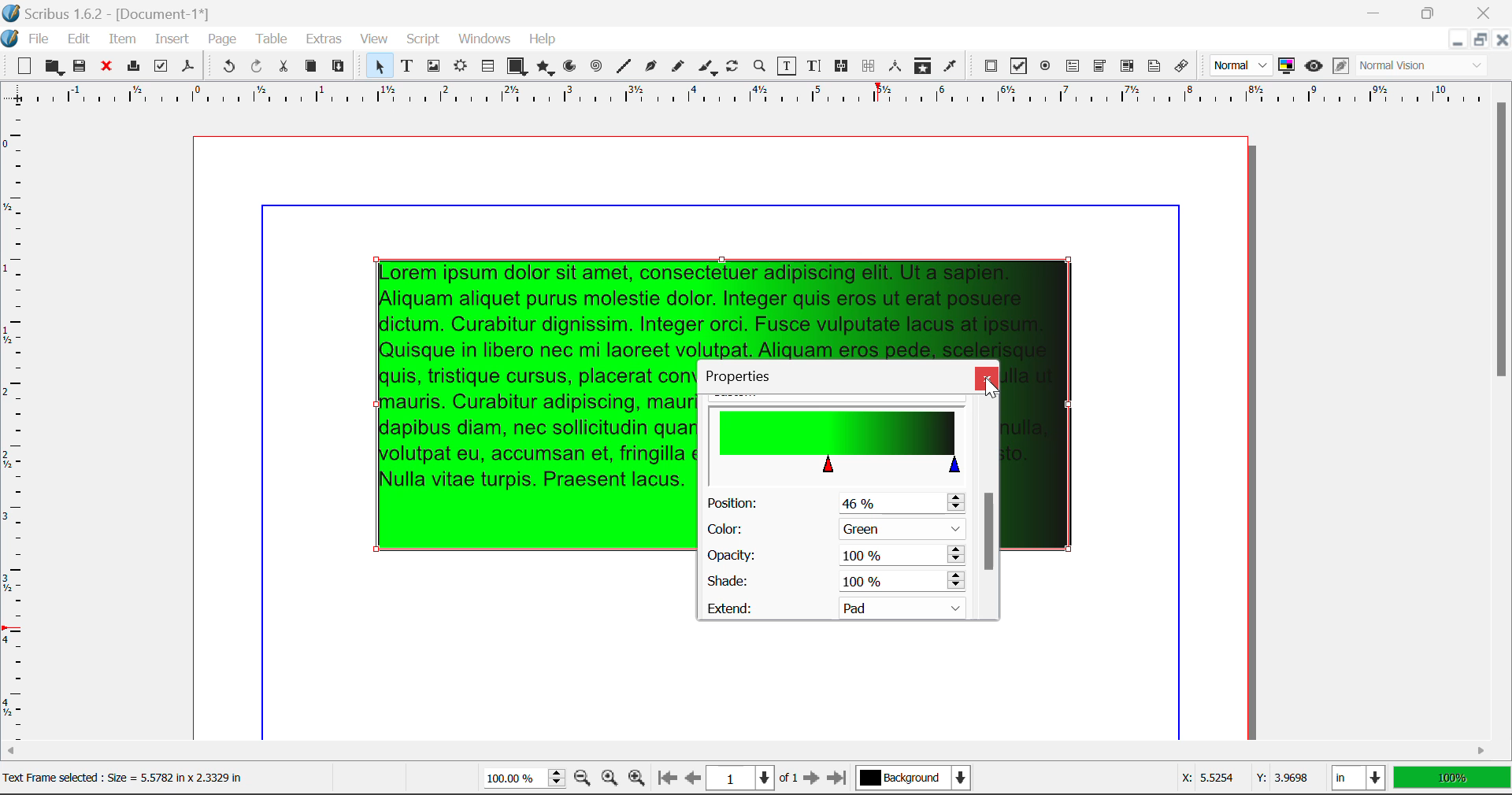 This screenshot has height=795, width=1512. What do you see at coordinates (424, 39) in the screenshot?
I see `Script` at bounding box center [424, 39].